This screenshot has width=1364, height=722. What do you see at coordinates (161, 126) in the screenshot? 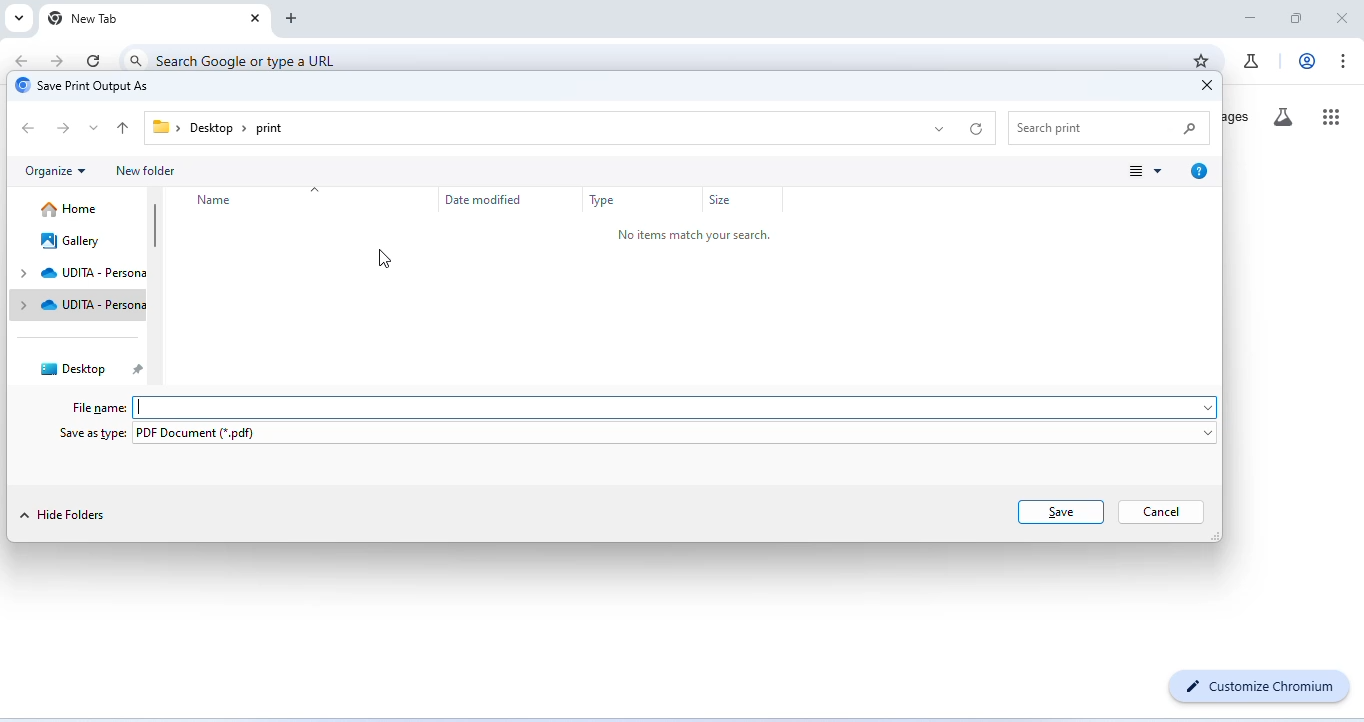
I see `Folder icon` at bounding box center [161, 126].